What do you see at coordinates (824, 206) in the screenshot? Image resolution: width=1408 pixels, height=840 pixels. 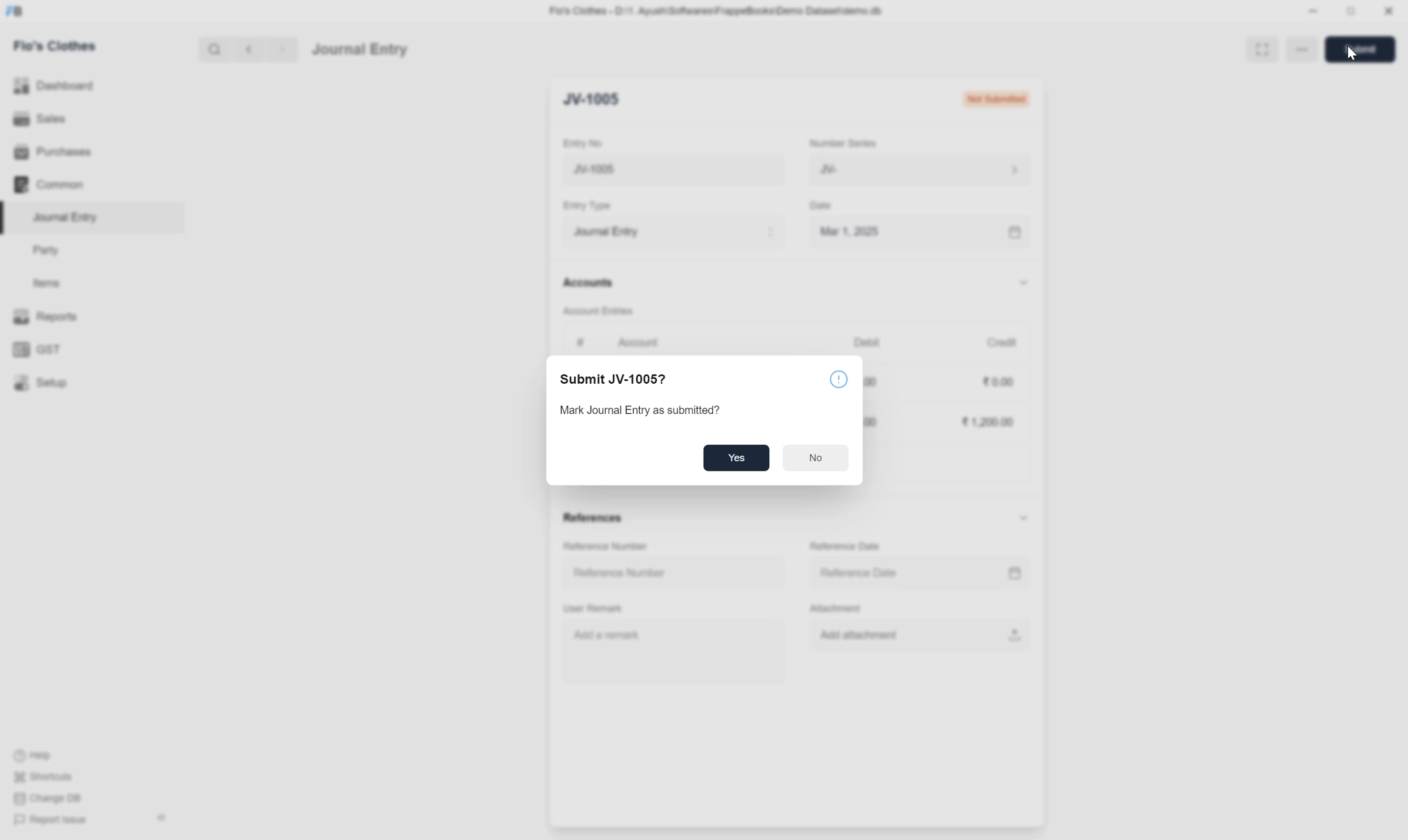 I see `Date` at bounding box center [824, 206].